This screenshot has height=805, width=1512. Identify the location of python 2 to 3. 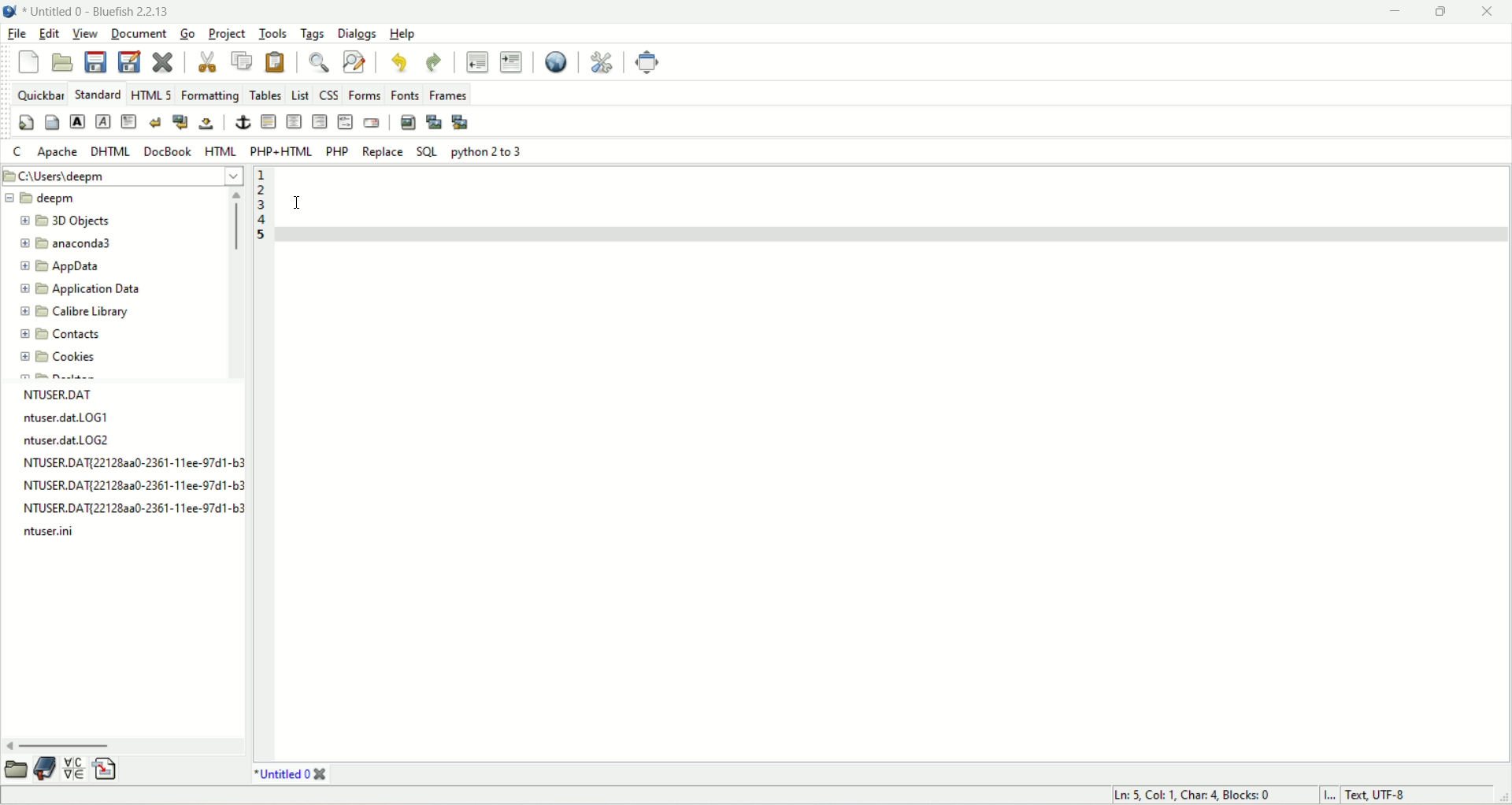
(485, 152).